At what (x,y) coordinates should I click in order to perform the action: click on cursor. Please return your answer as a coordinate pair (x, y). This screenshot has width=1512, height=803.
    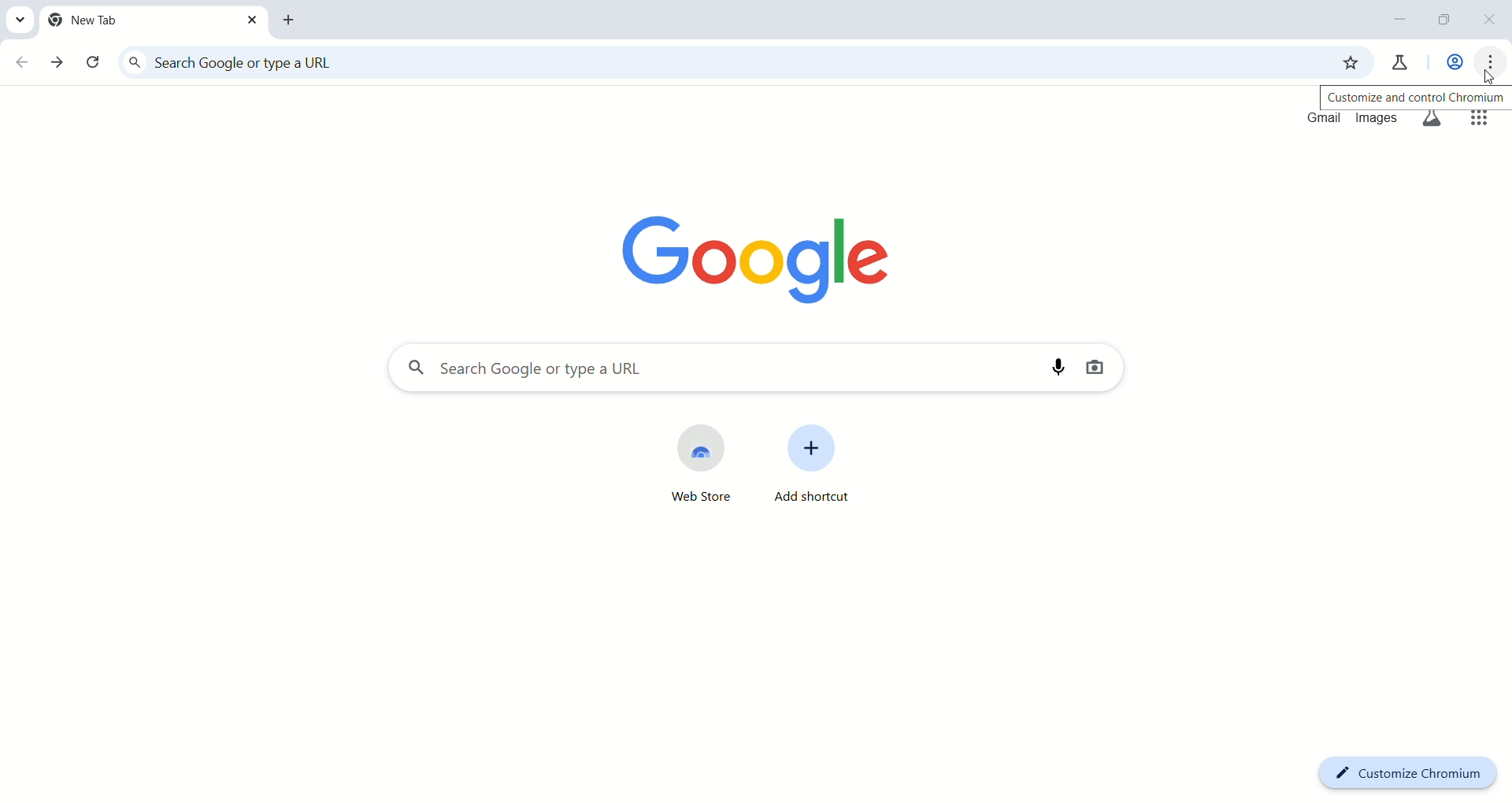
    Looking at the image, I should click on (1489, 79).